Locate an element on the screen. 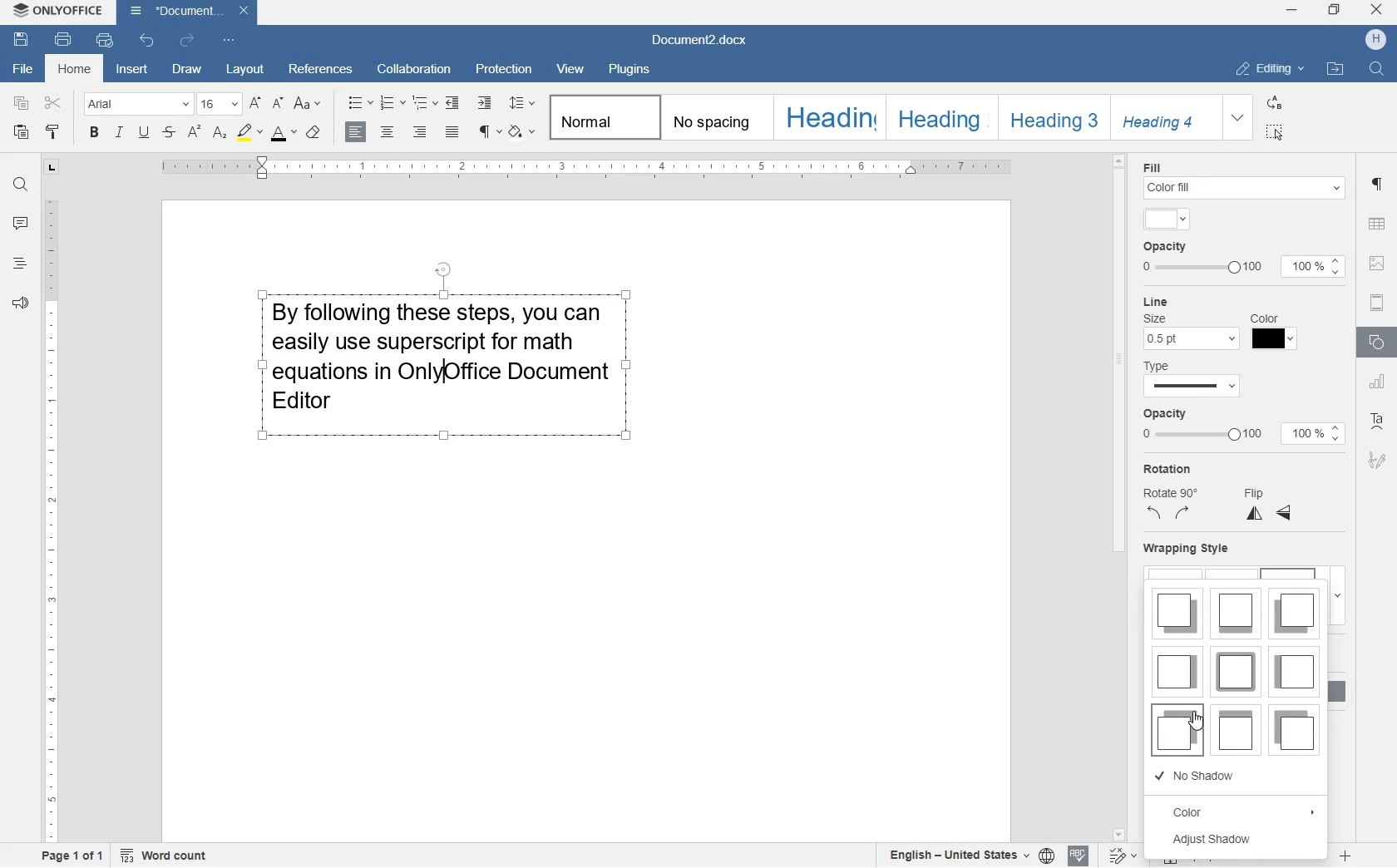  ruler is located at coordinates (579, 170).